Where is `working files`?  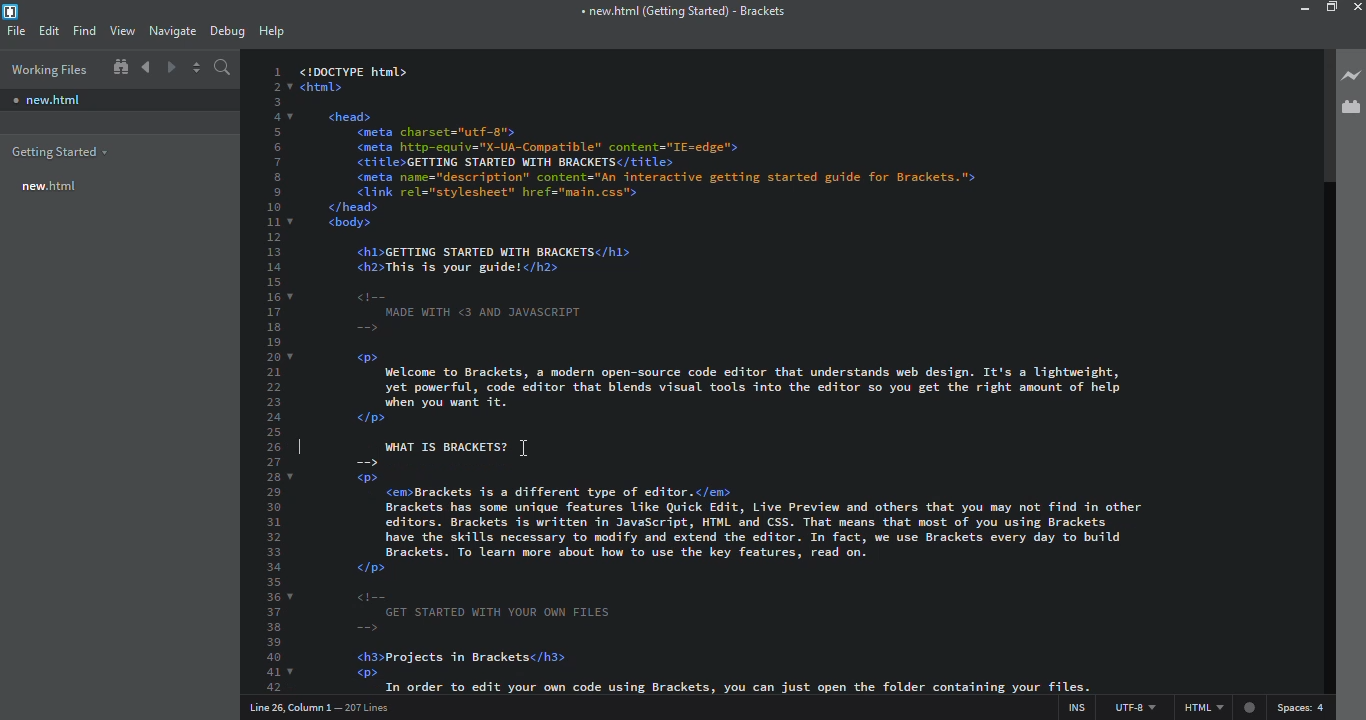
working files is located at coordinates (48, 70).